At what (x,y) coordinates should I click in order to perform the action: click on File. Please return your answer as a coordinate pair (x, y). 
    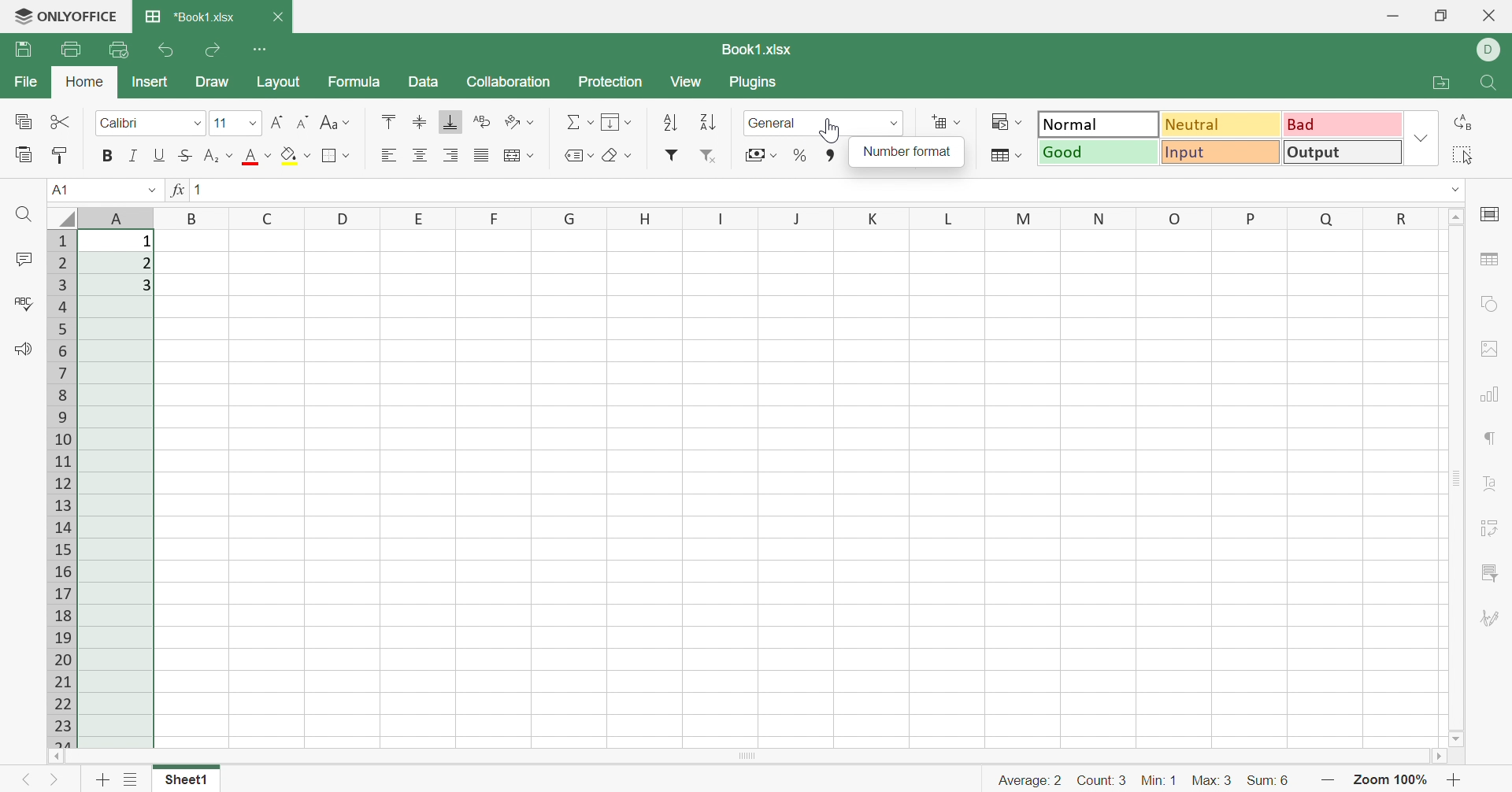
    Looking at the image, I should click on (24, 82).